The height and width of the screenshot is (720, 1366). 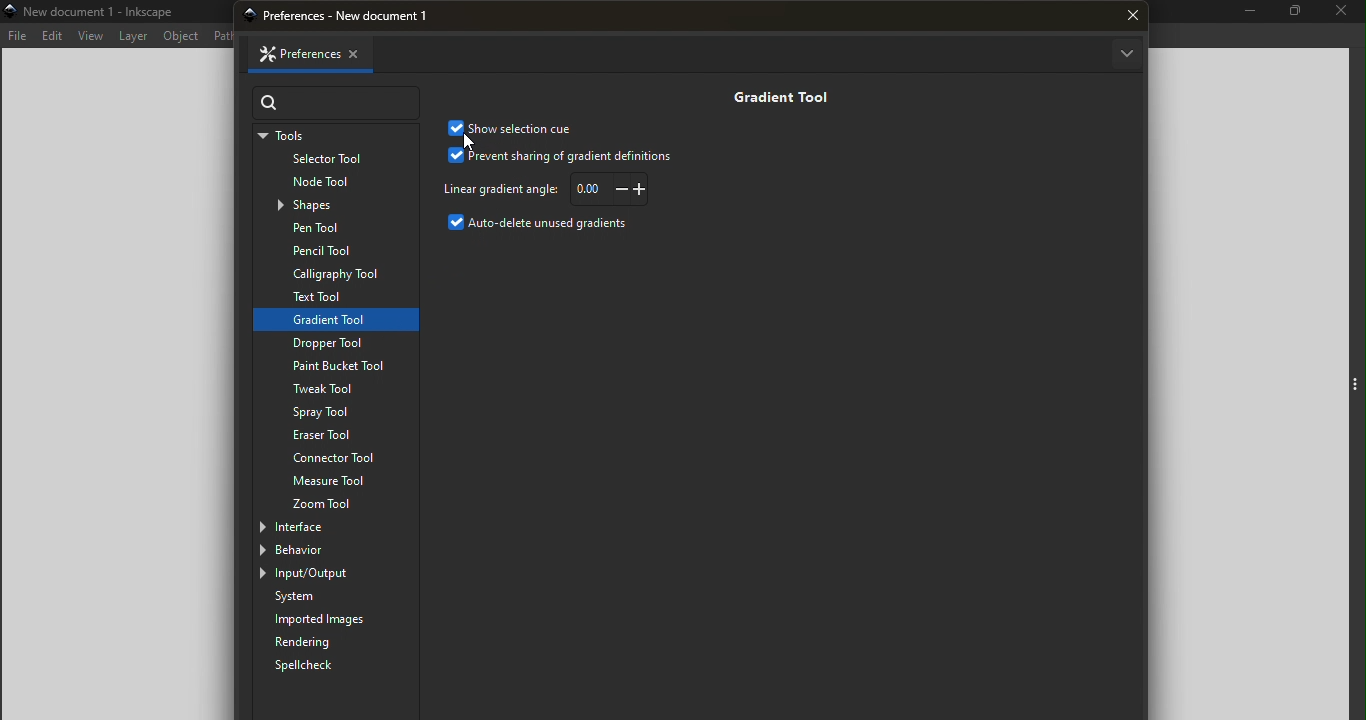 I want to click on Close, so click(x=363, y=52).